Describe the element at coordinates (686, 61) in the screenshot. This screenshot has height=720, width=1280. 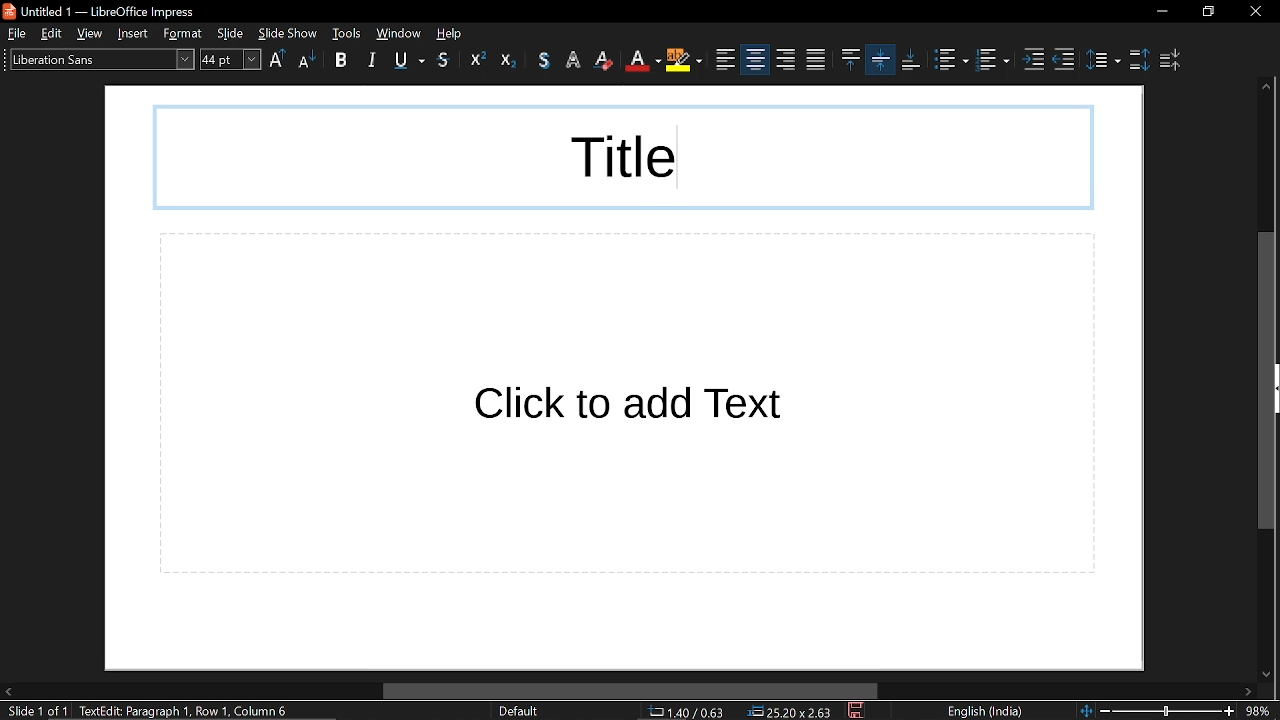
I see `align left` at that location.